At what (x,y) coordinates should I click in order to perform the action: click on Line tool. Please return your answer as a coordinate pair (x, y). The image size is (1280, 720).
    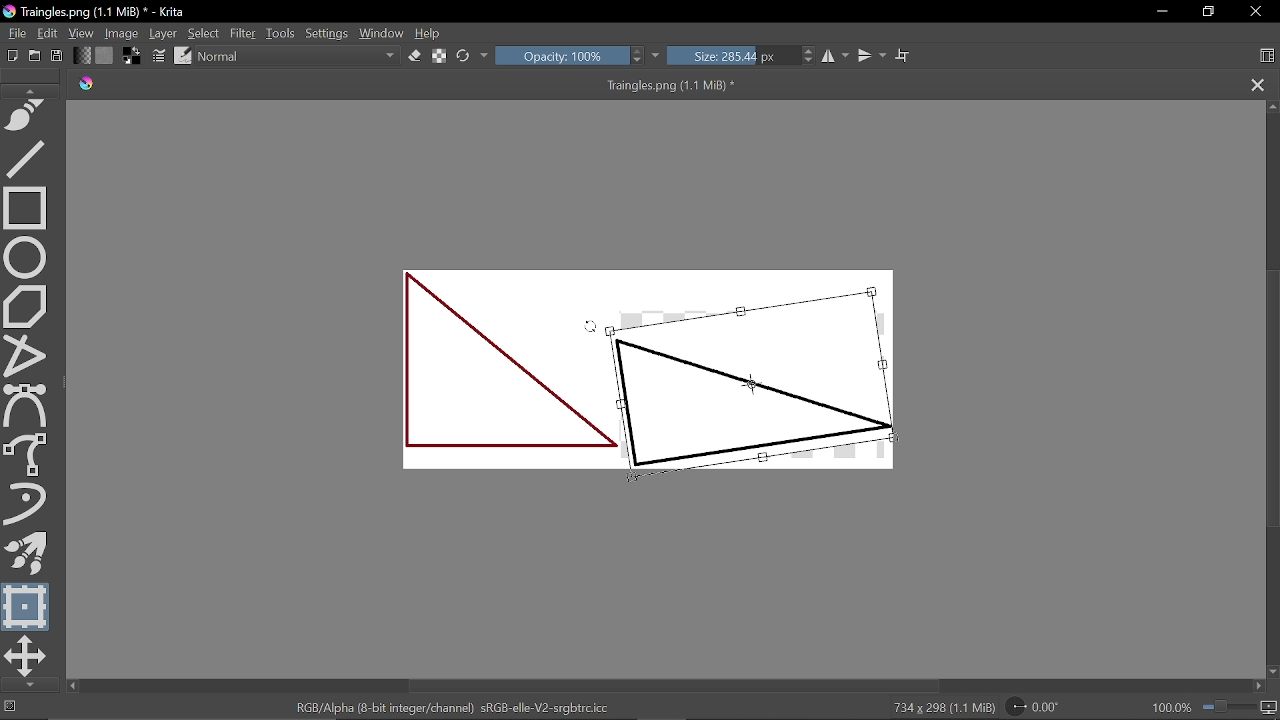
    Looking at the image, I should click on (30, 158).